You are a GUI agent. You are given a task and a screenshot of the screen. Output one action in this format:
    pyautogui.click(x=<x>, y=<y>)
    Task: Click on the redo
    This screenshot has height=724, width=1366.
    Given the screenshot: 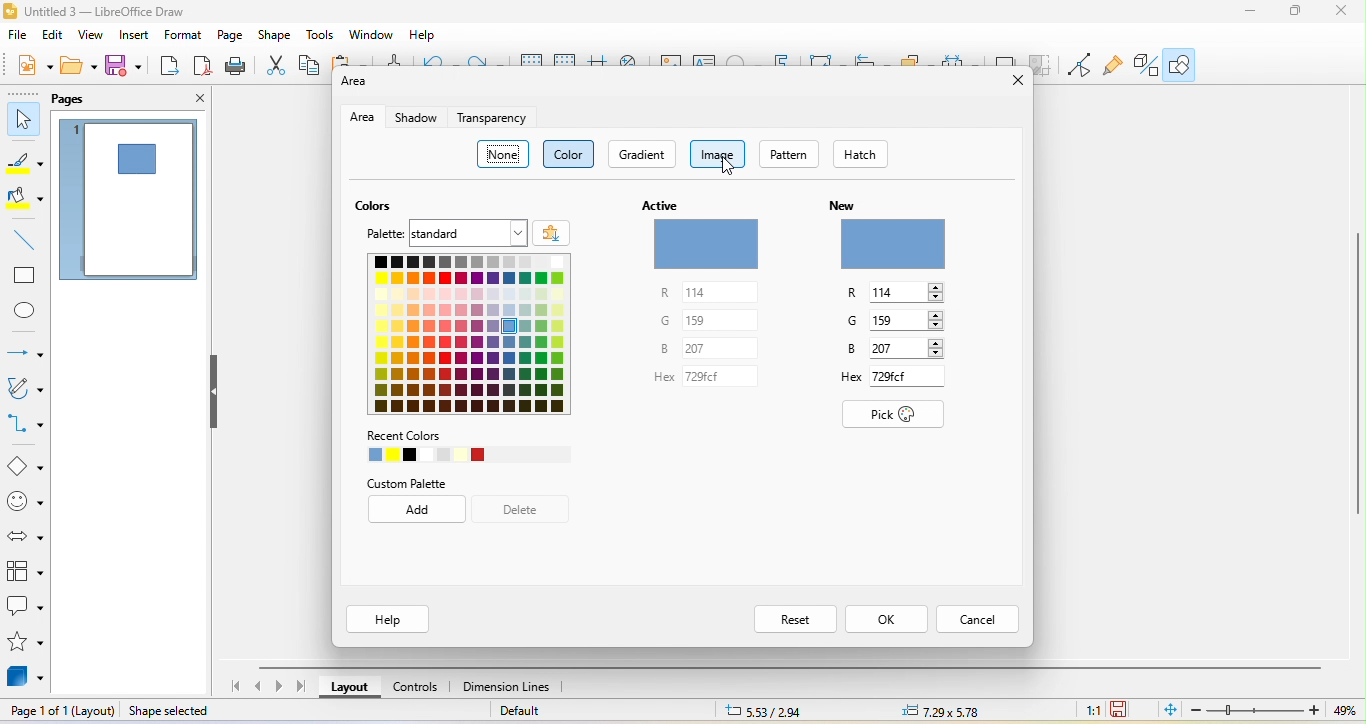 What is the action you would take?
    pyautogui.click(x=487, y=61)
    